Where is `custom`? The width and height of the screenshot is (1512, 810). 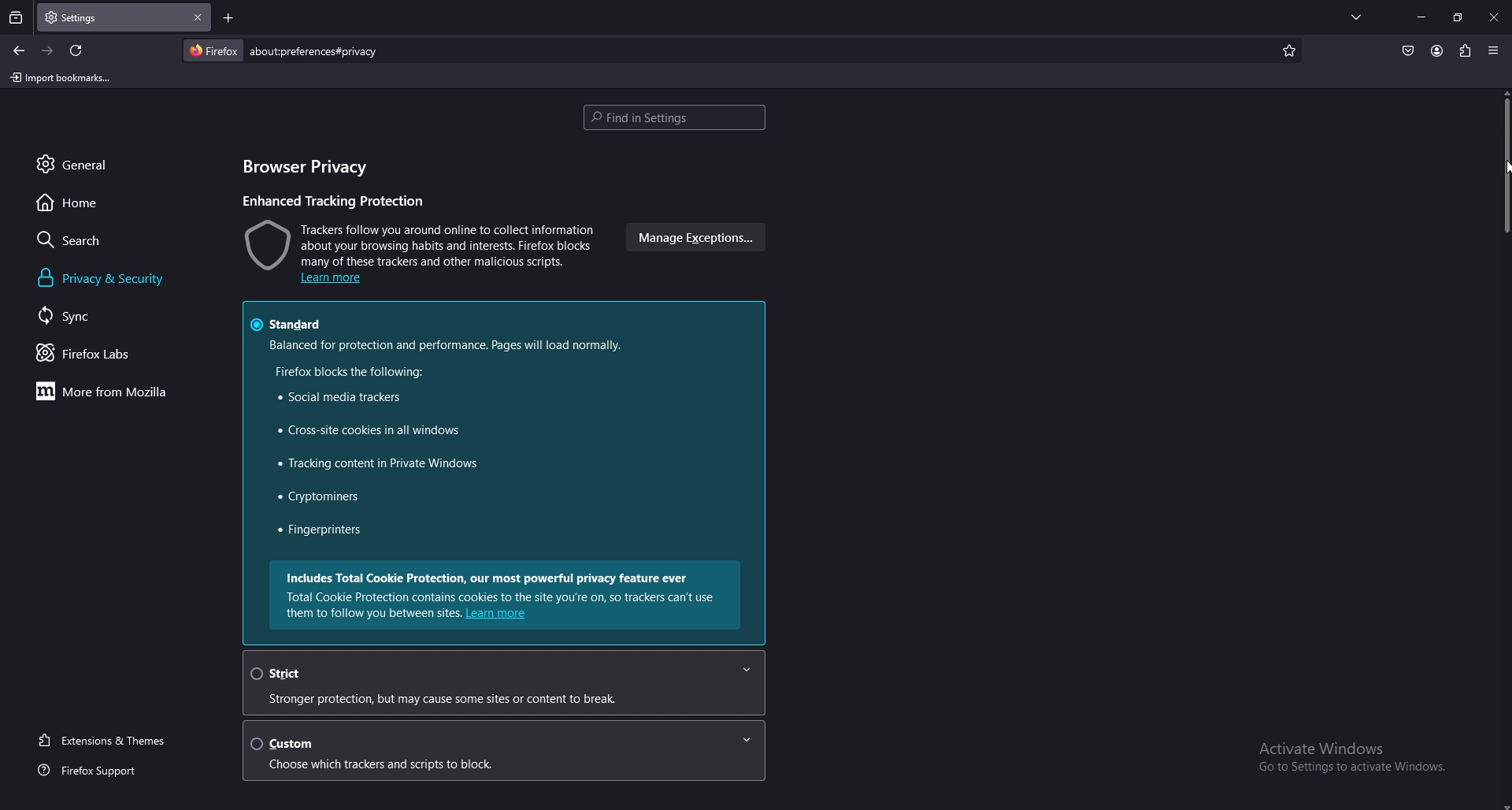
custom is located at coordinates (502, 749).